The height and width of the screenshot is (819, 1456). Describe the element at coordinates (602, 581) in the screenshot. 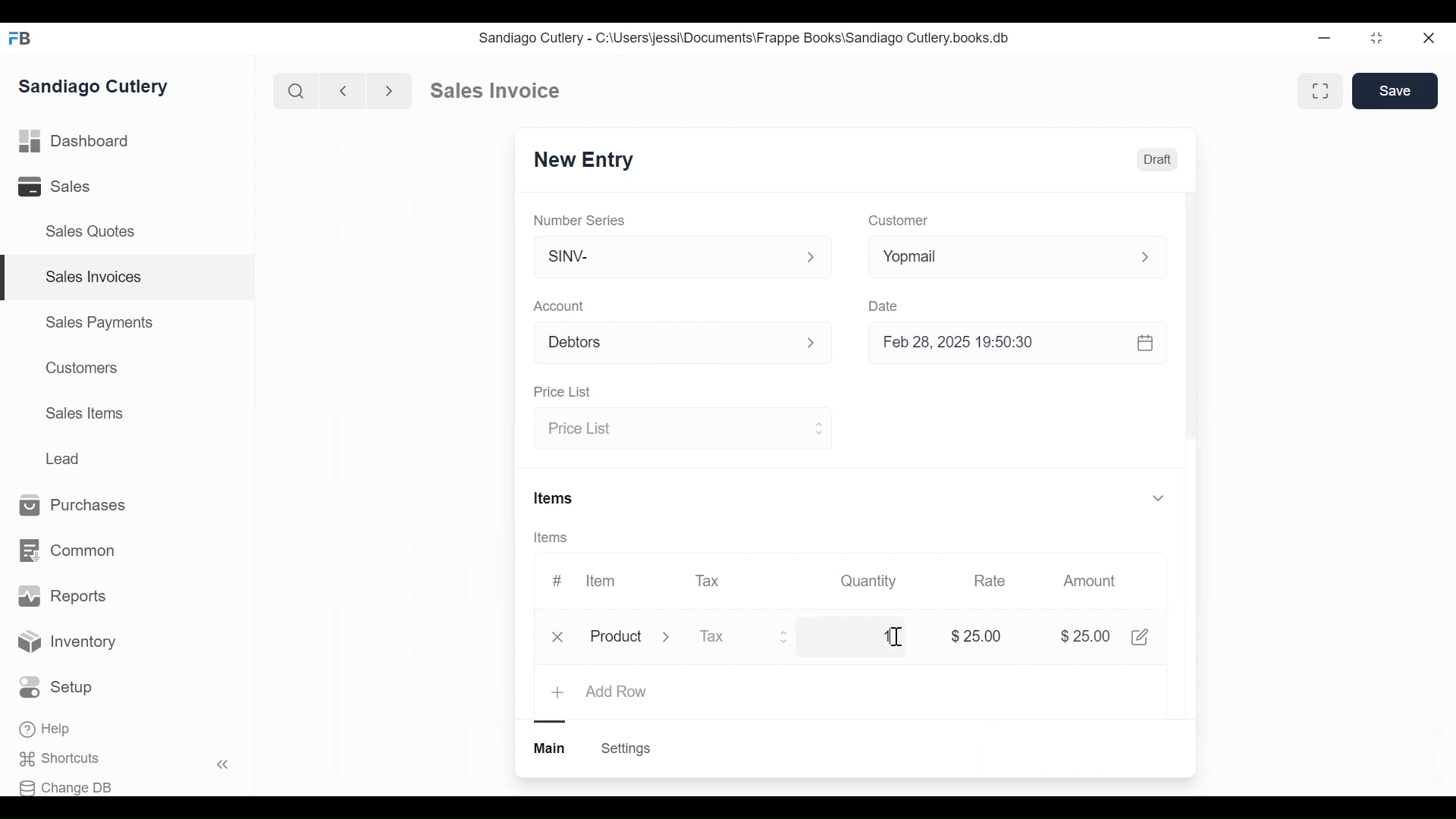

I see `Item` at that location.